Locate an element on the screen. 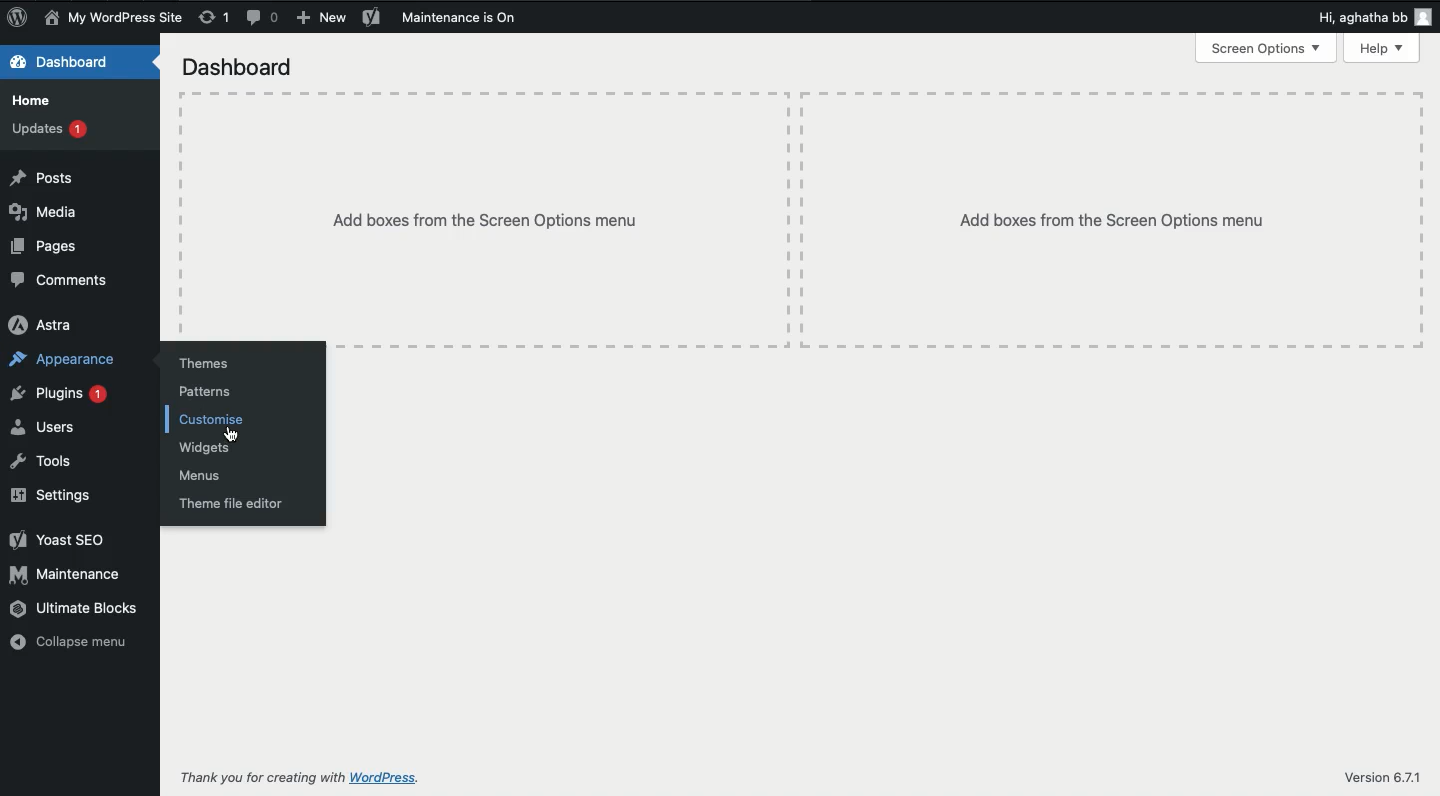 The width and height of the screenshot is (1440, 796). Updates is located at coordinates (44, 128).